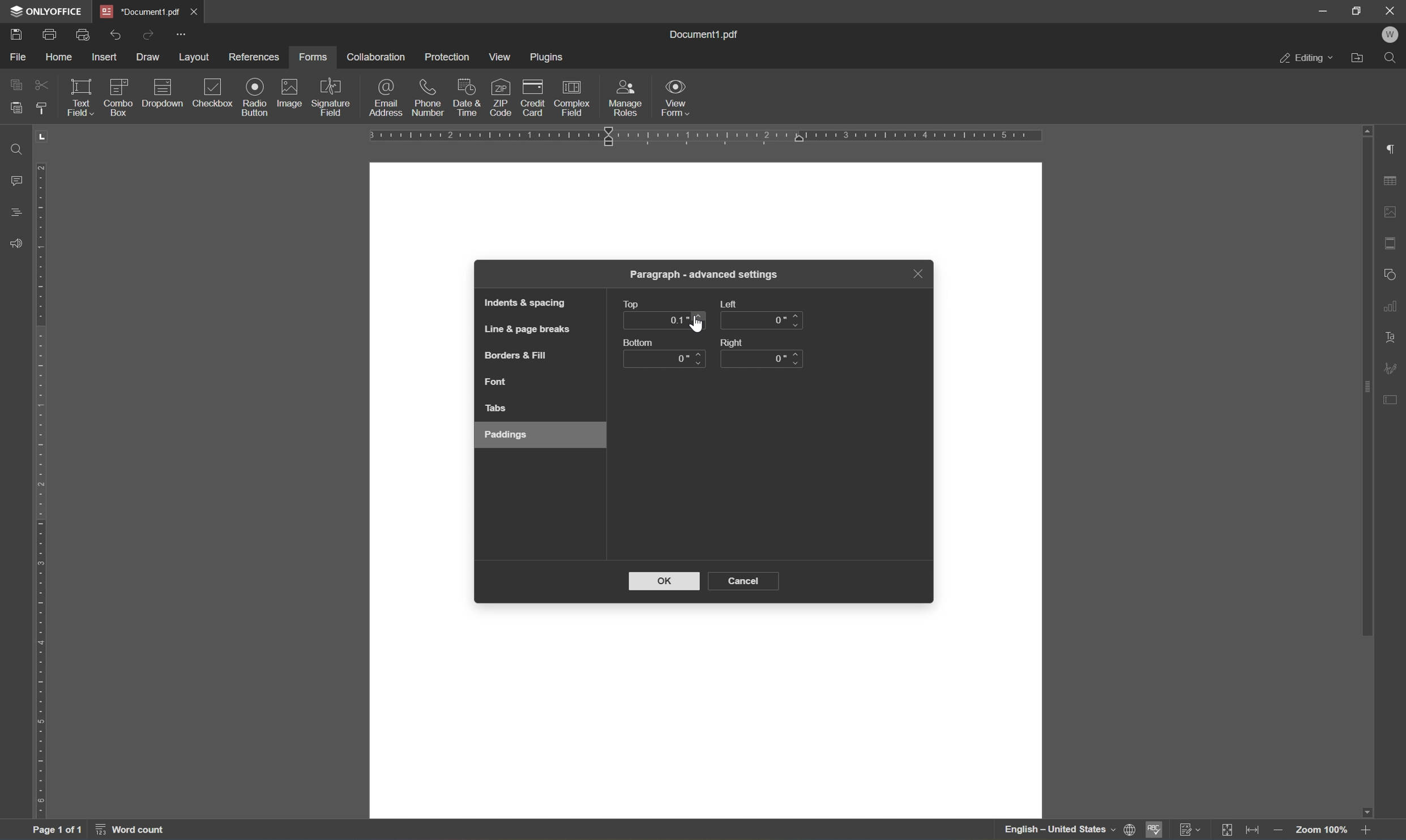  I want to click on find, so click(13, 148).